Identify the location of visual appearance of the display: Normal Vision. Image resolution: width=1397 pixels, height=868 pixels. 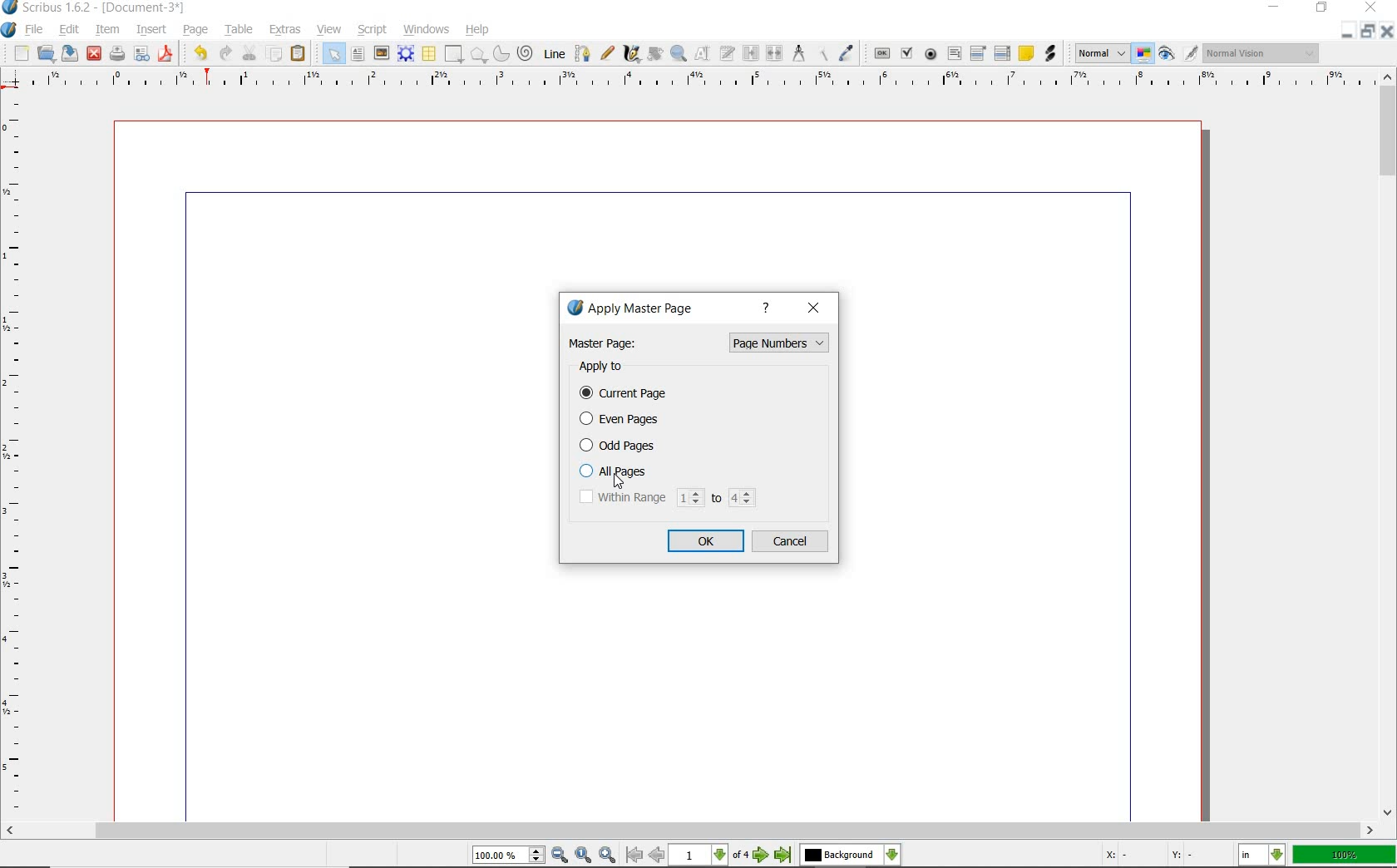
(1263, 53).